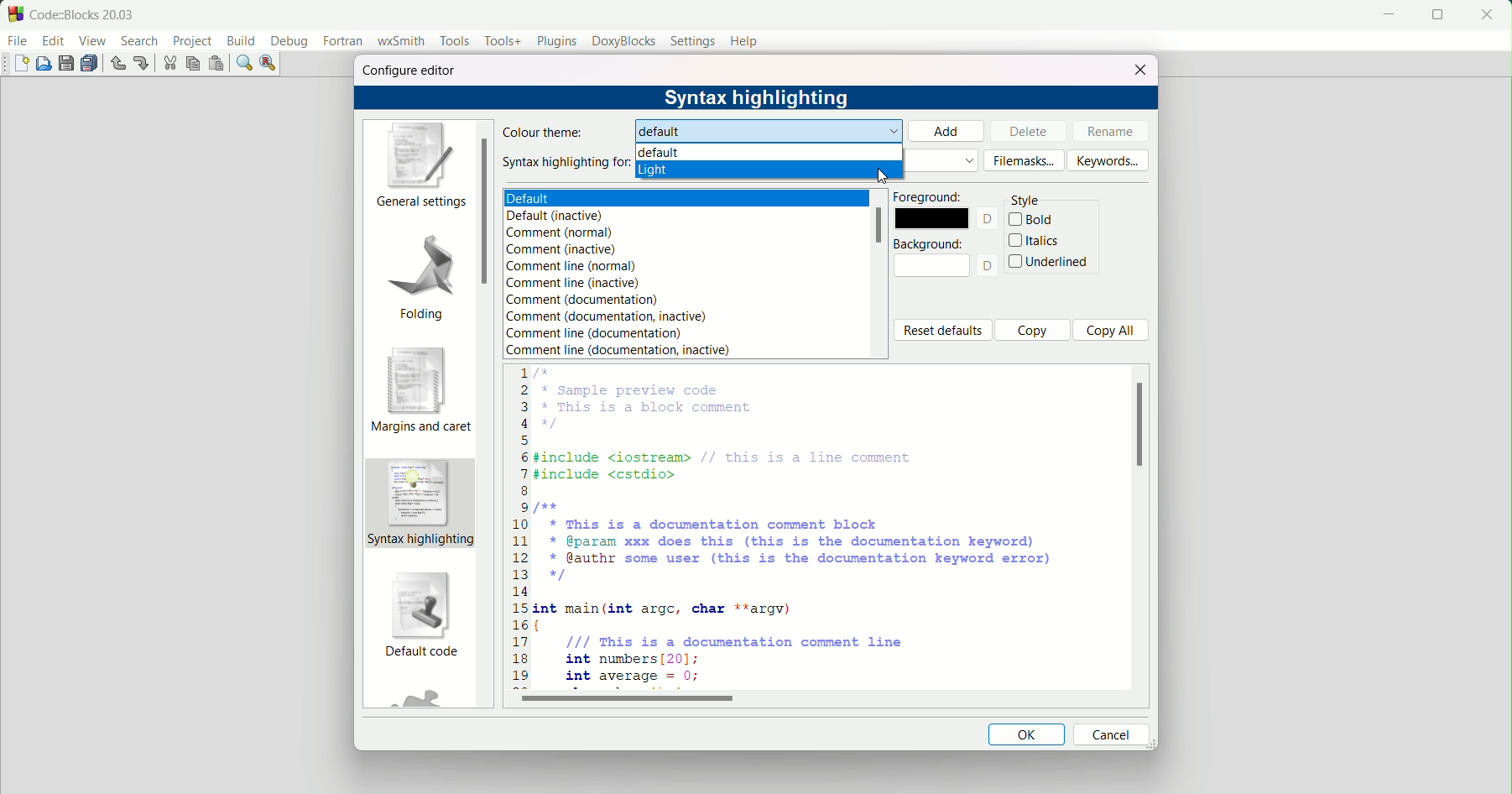  Describe the element at coordinates (624, 41) in the screenshot. I see `doxyblocks` at that location.